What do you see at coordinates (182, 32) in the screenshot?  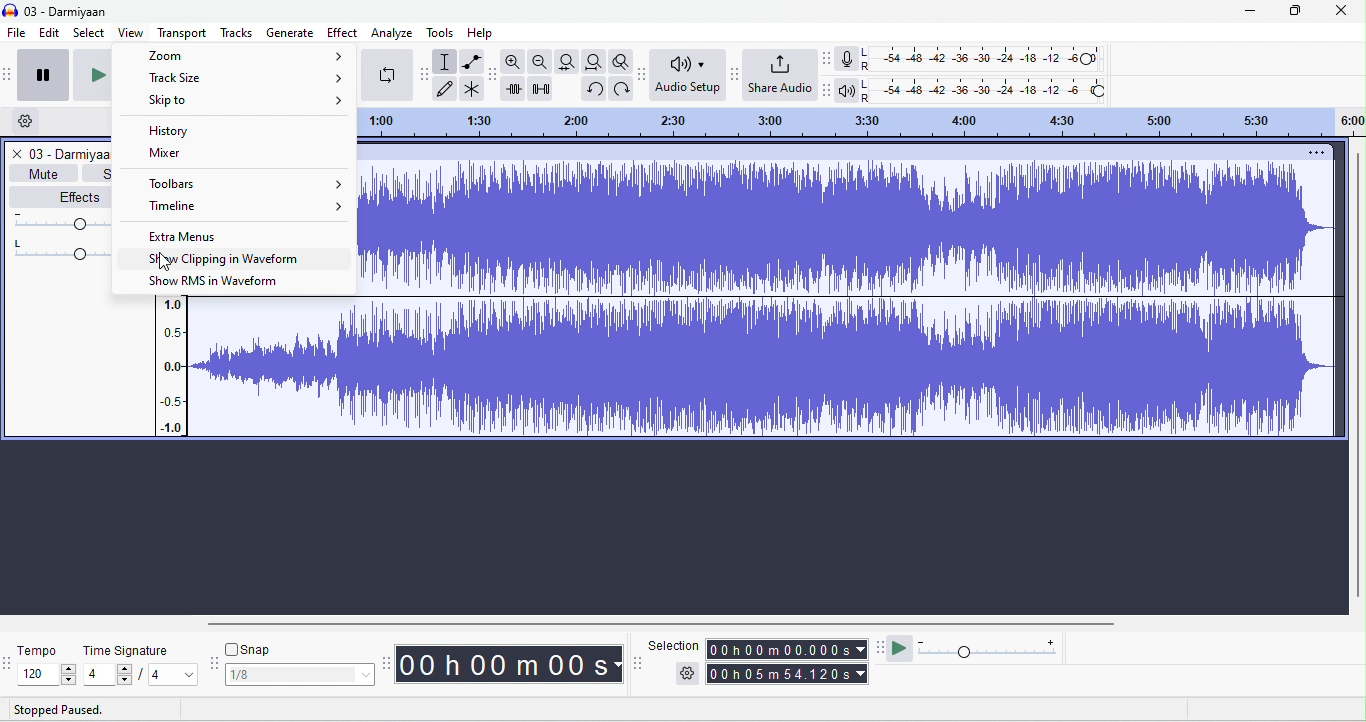 I see `transport` at bounding box center [182, 32].